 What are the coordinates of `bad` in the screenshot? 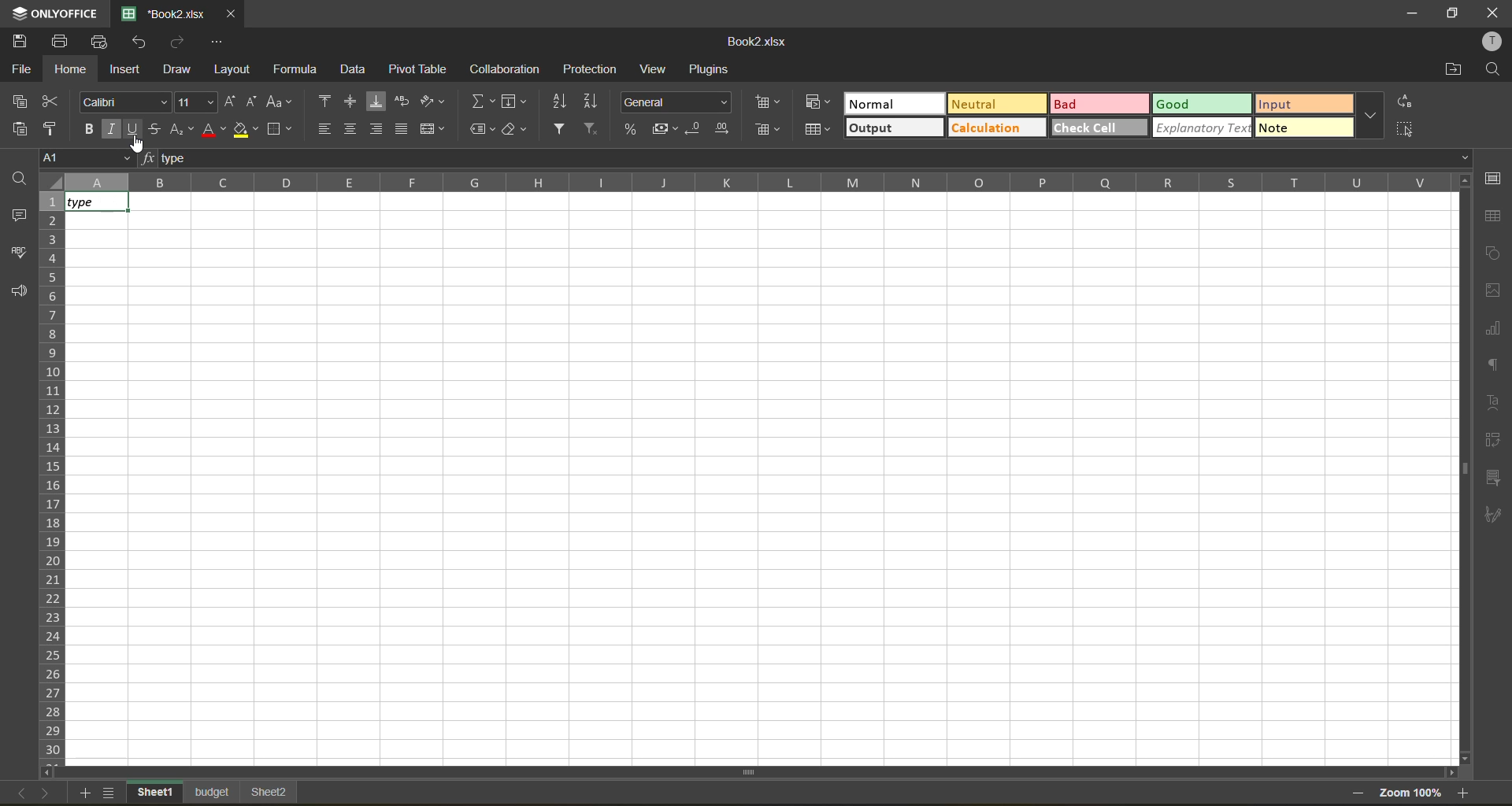 It's located at (1103, 104).